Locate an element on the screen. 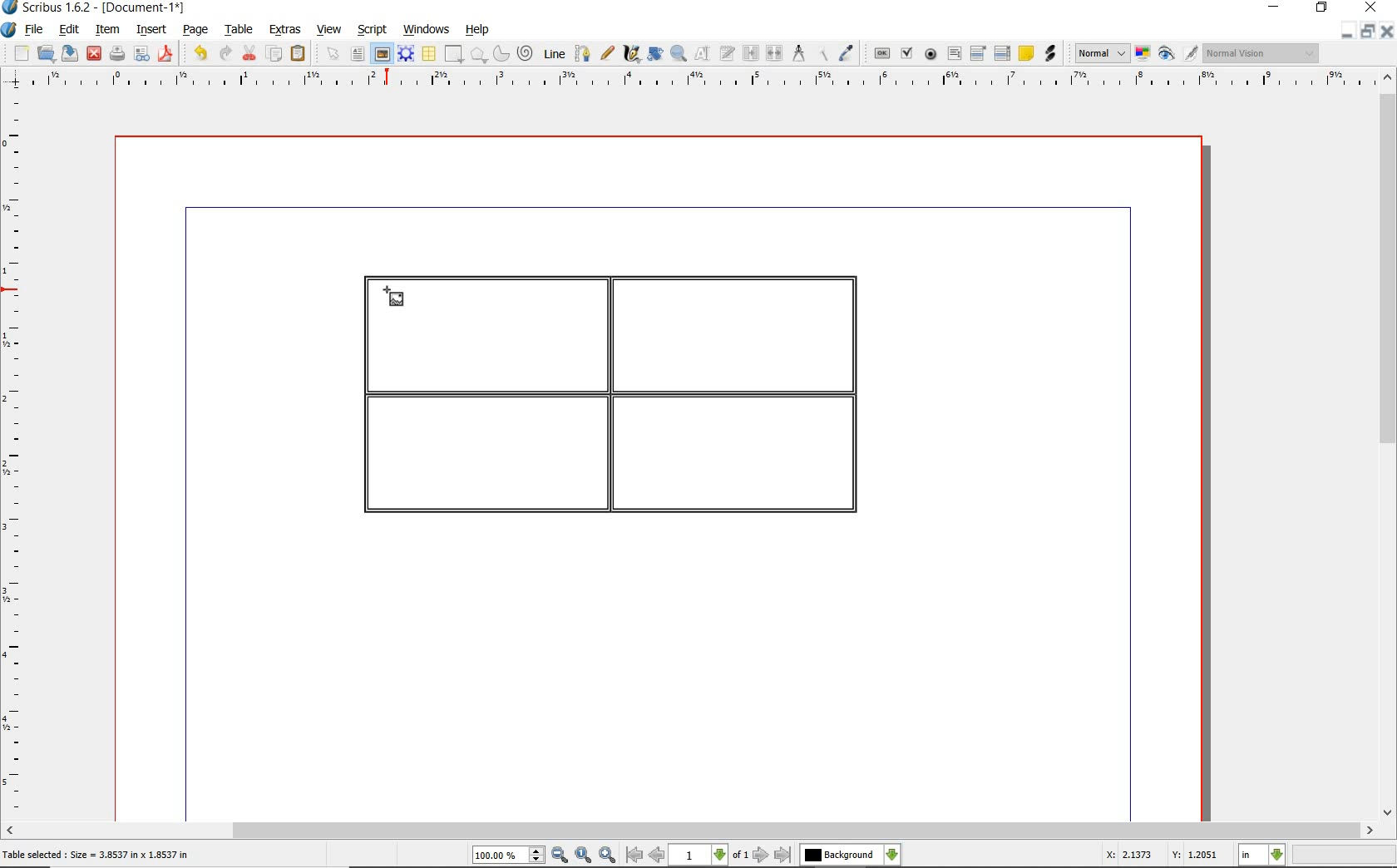 The width and height of the screenshot is (1397, 868). go to first page is located at coordinates (634, 856).